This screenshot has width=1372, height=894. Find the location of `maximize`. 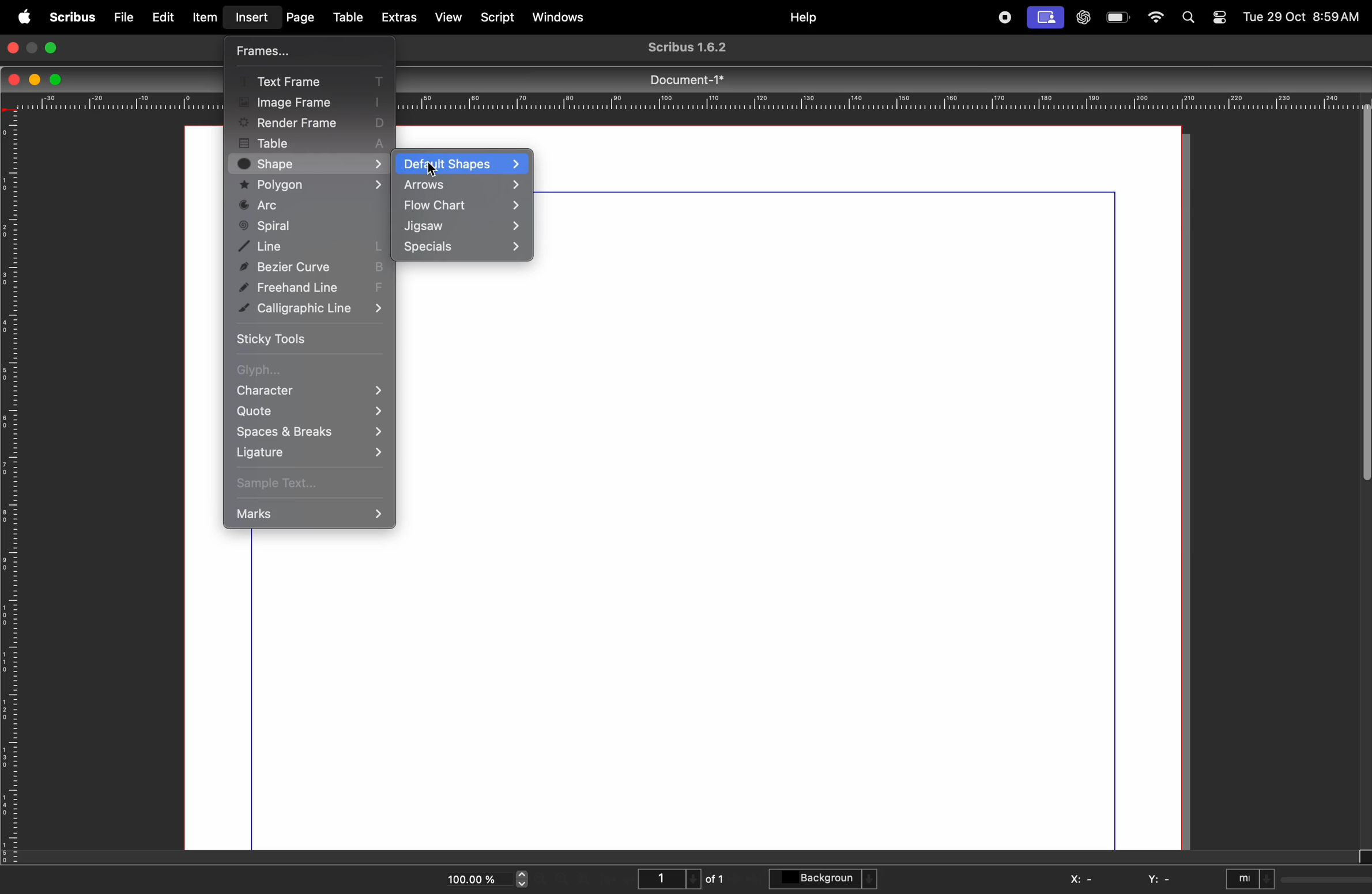

maximize is located at coordinates (57, 80).